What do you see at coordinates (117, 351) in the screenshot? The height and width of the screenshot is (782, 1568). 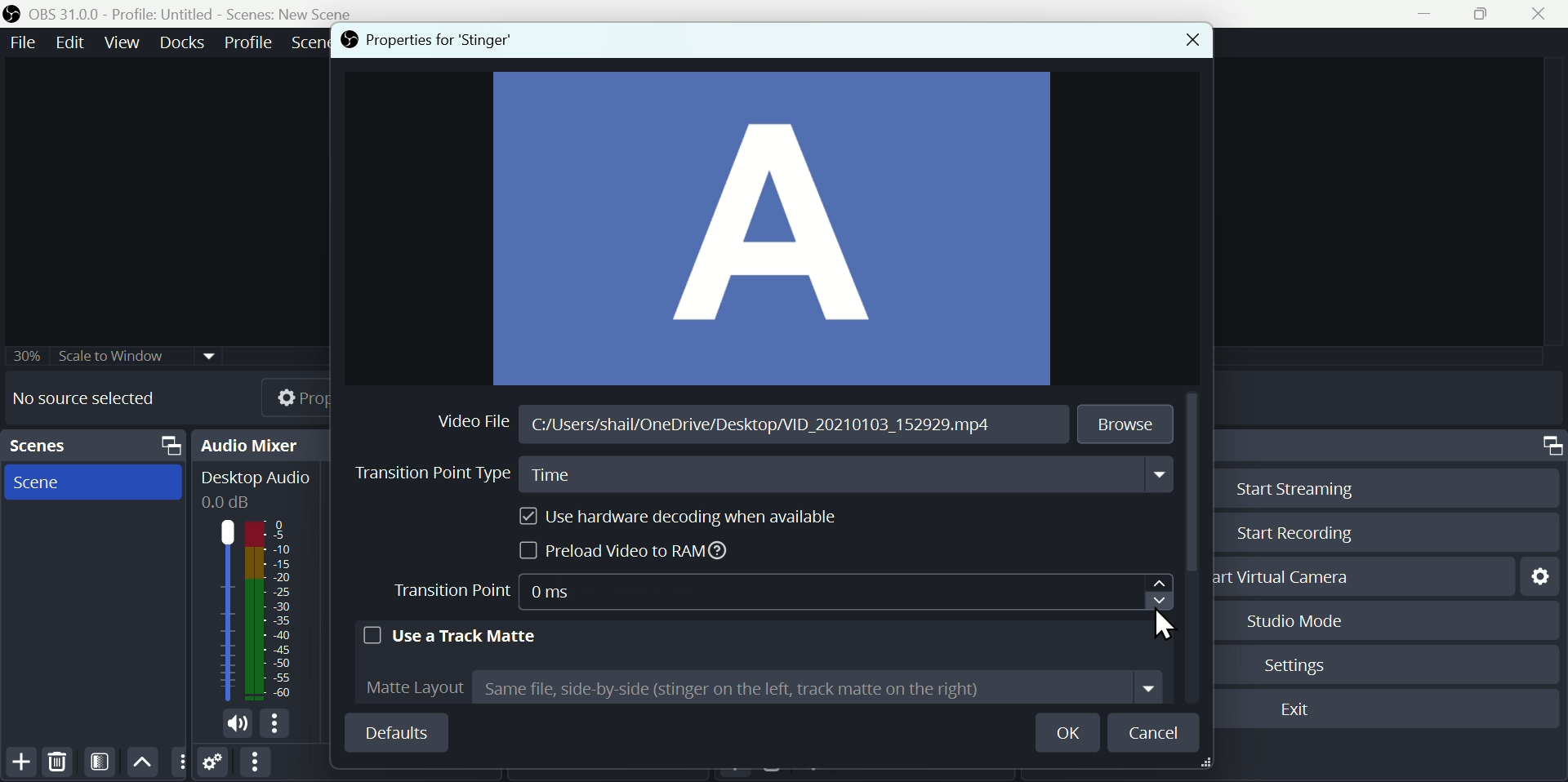 I see `` at bounding box center [117, 351].